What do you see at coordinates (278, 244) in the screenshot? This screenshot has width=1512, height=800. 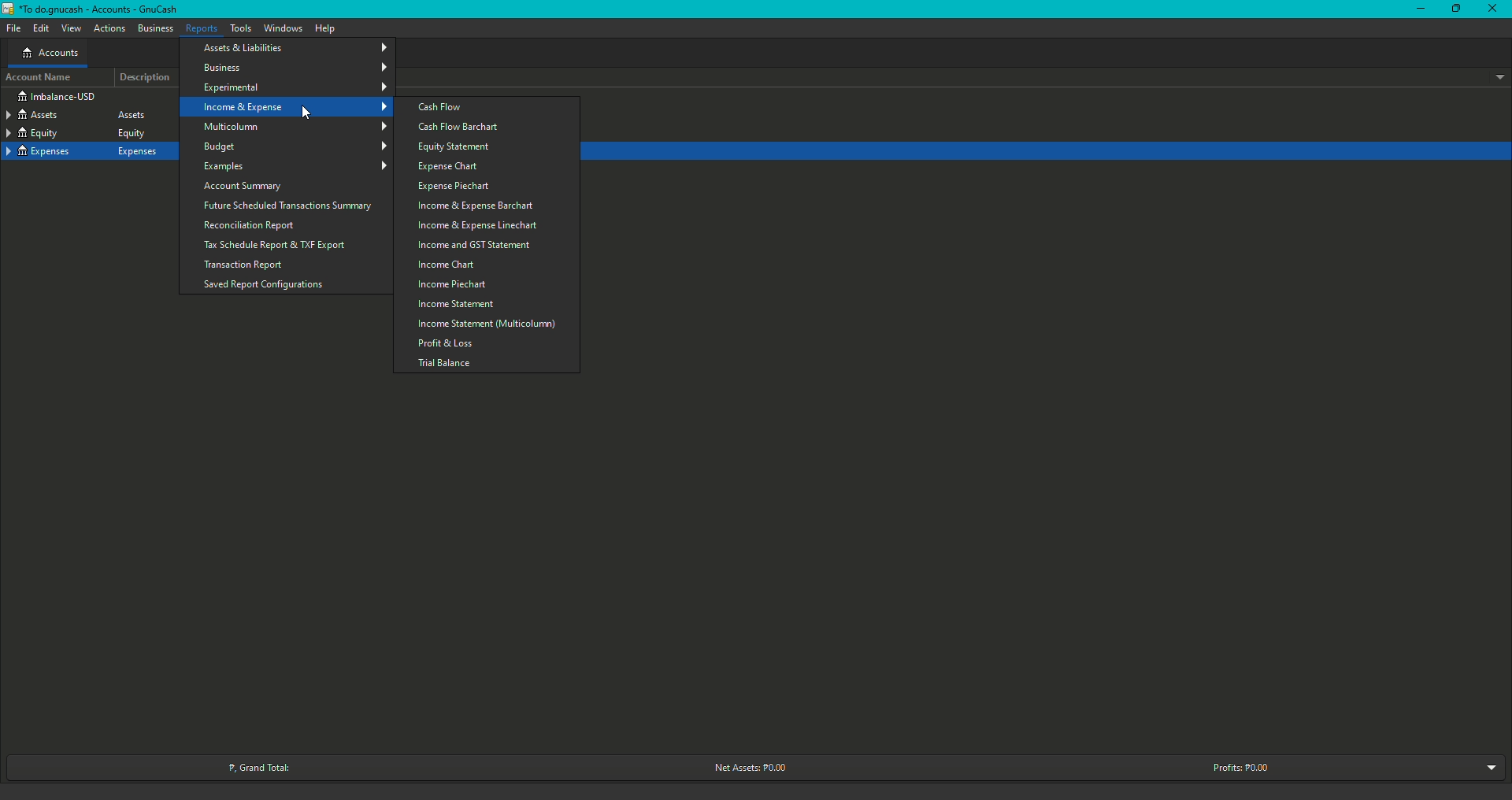 I see `Tax Schedule Report` at bounding box center [278, 244].